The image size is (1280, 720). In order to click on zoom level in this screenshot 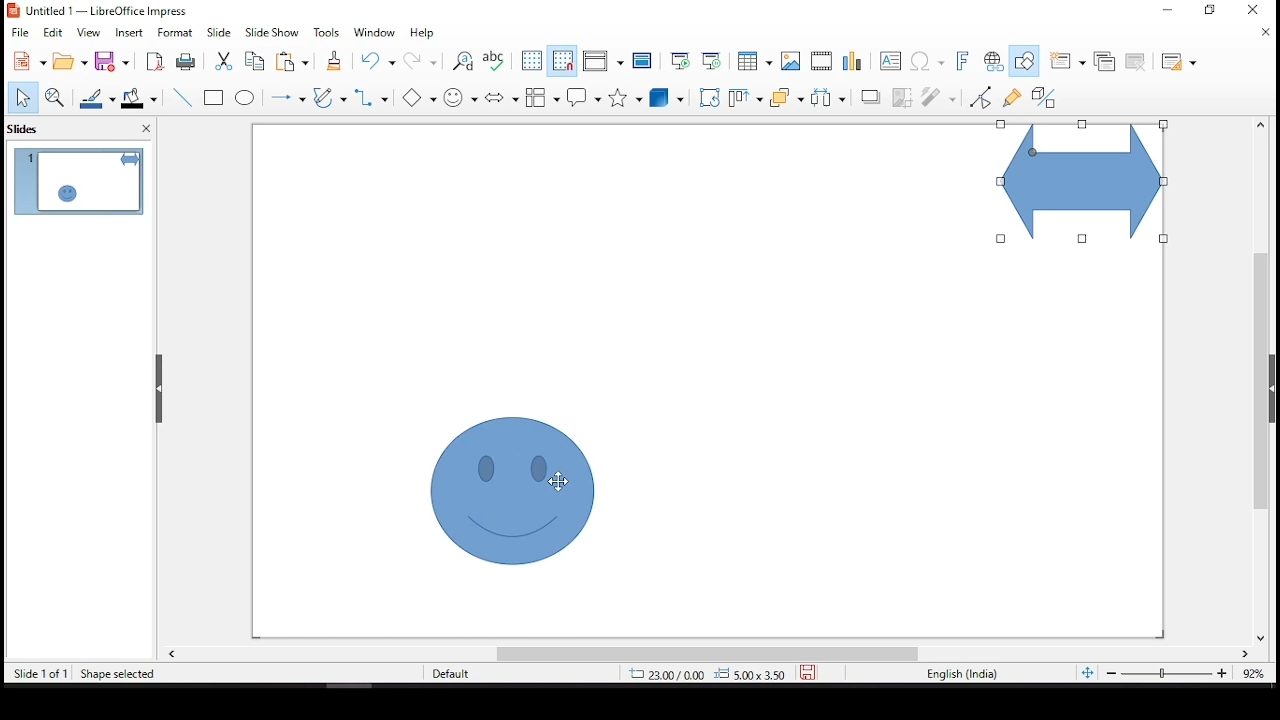, I will do `click(1255, 678)`.